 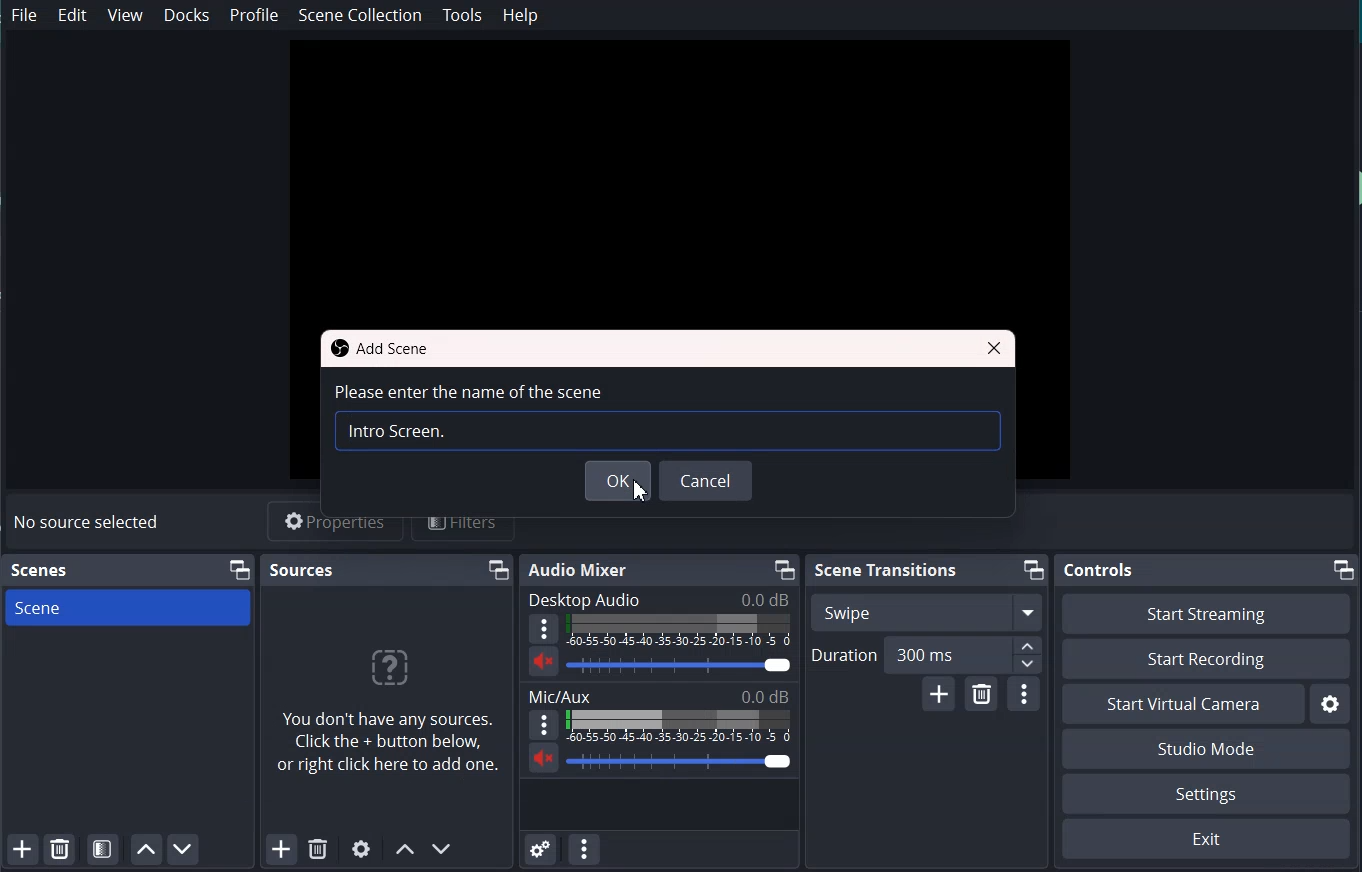 What do you see at coordinates (681, 726) in the screenshot?
I see `Volume indicator` at bounding box center [681, 726].